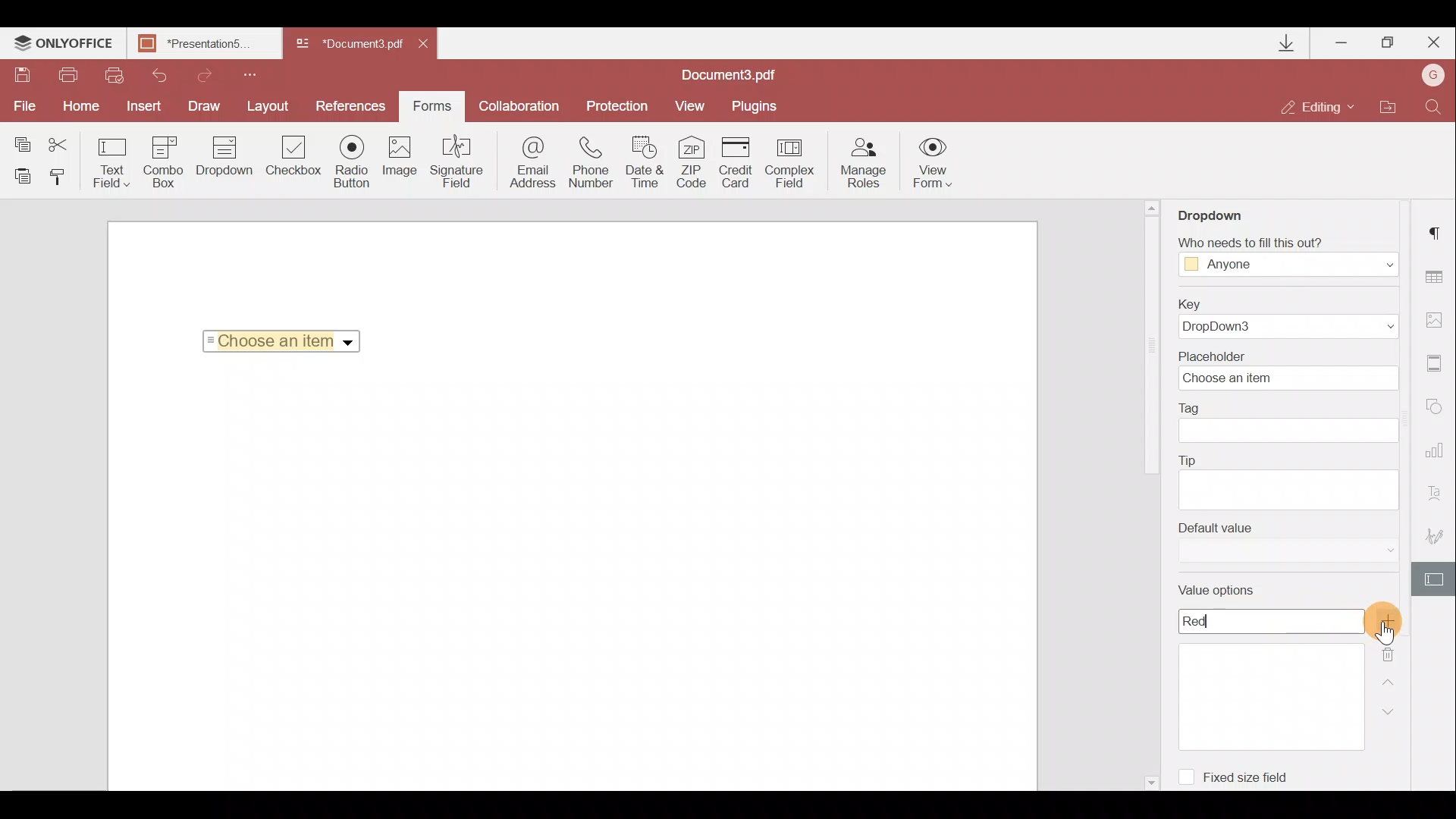 This screenshot has height=819, width=1456. What do you see at coordinates (1295, 424) in the screenshot?
I see `Tag` at bounding box center [1295, 424].